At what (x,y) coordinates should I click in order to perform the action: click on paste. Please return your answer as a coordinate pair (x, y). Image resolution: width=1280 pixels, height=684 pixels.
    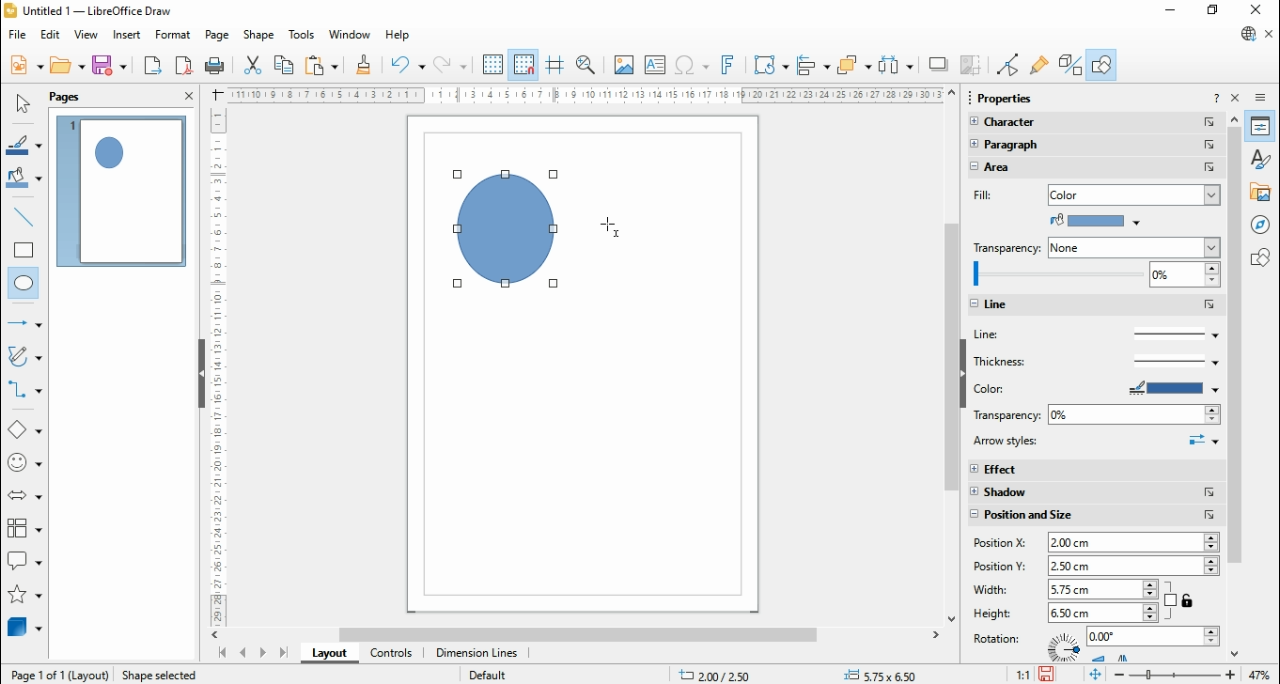
    Looking at the image, I should click on (320, 64).